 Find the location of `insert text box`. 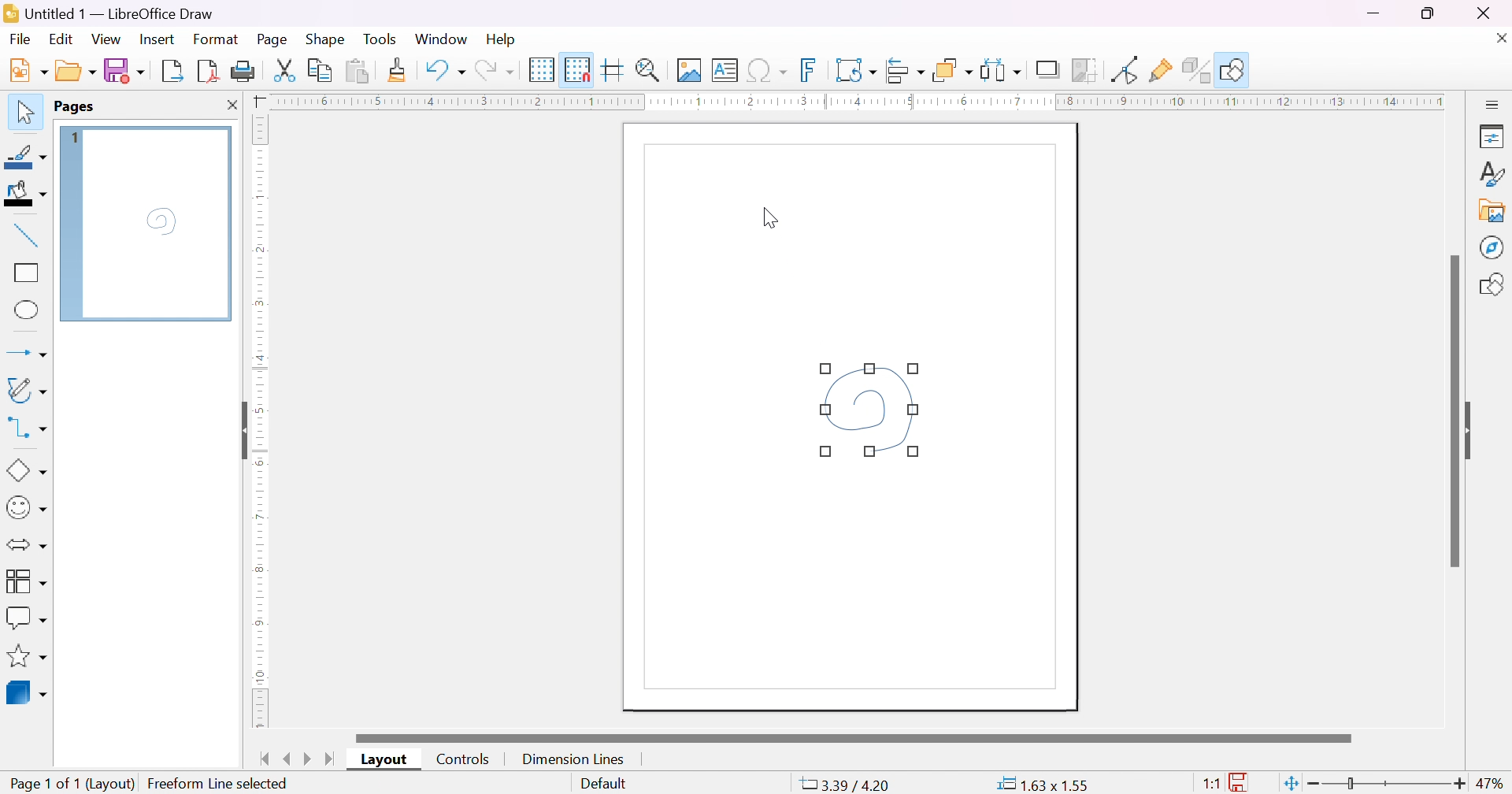

insert text box is located at coordinates (724, 70).